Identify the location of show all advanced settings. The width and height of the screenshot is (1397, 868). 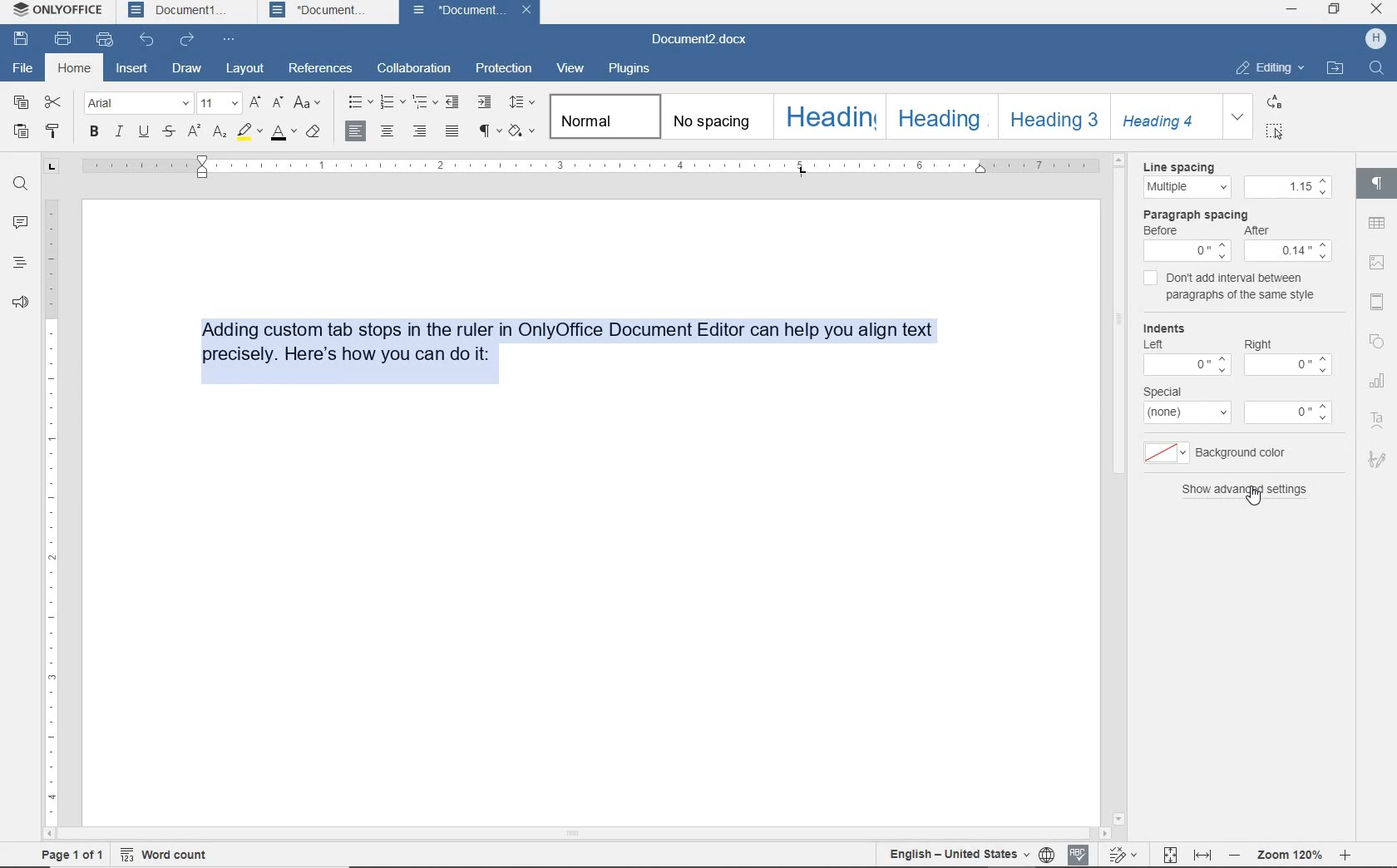
(1252, 491).